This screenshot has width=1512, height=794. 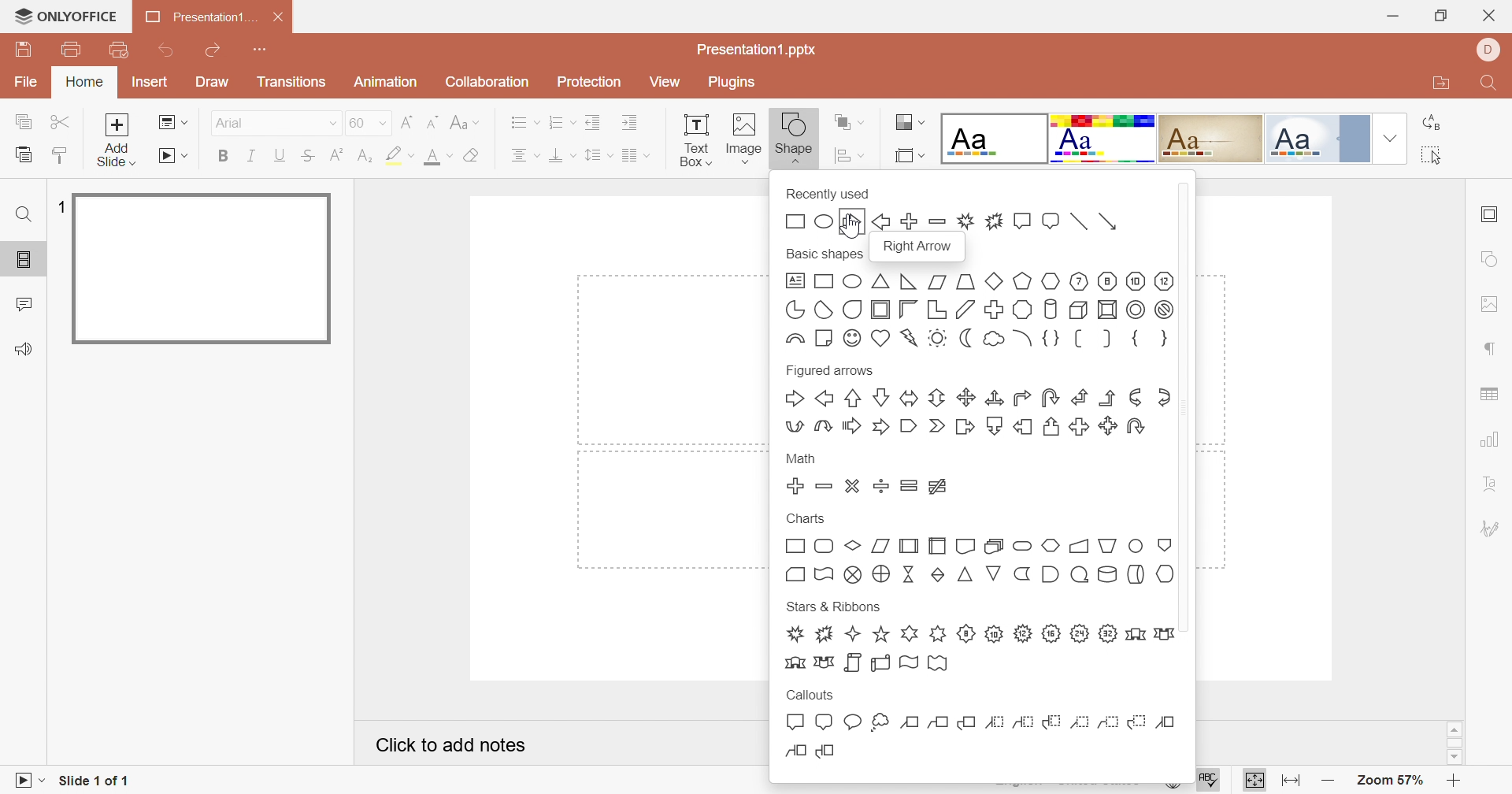 I want to click on Quick print, so click(x=121, y=50).